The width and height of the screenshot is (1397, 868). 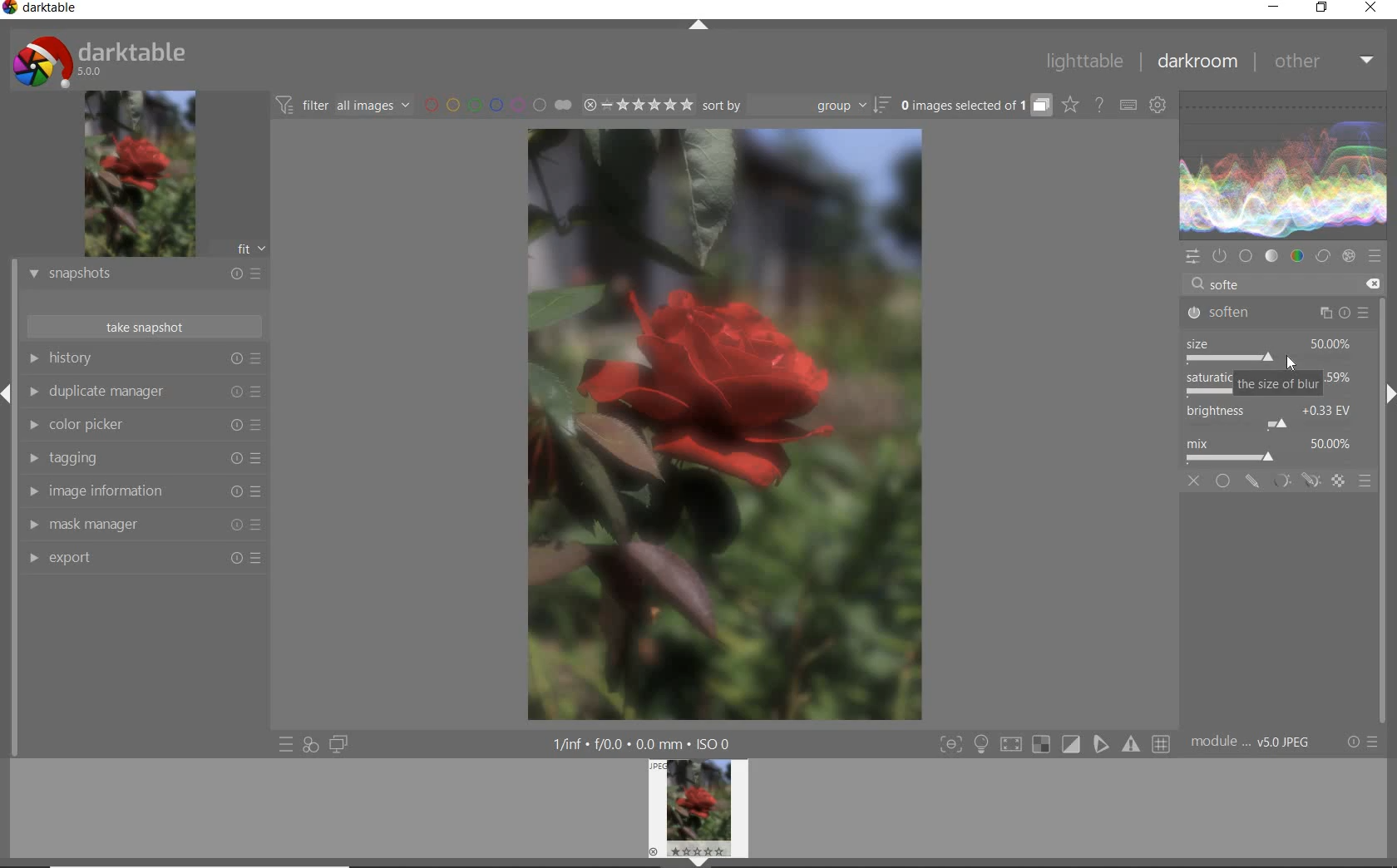 I want to click on tagging, so click(x=143, y=457).